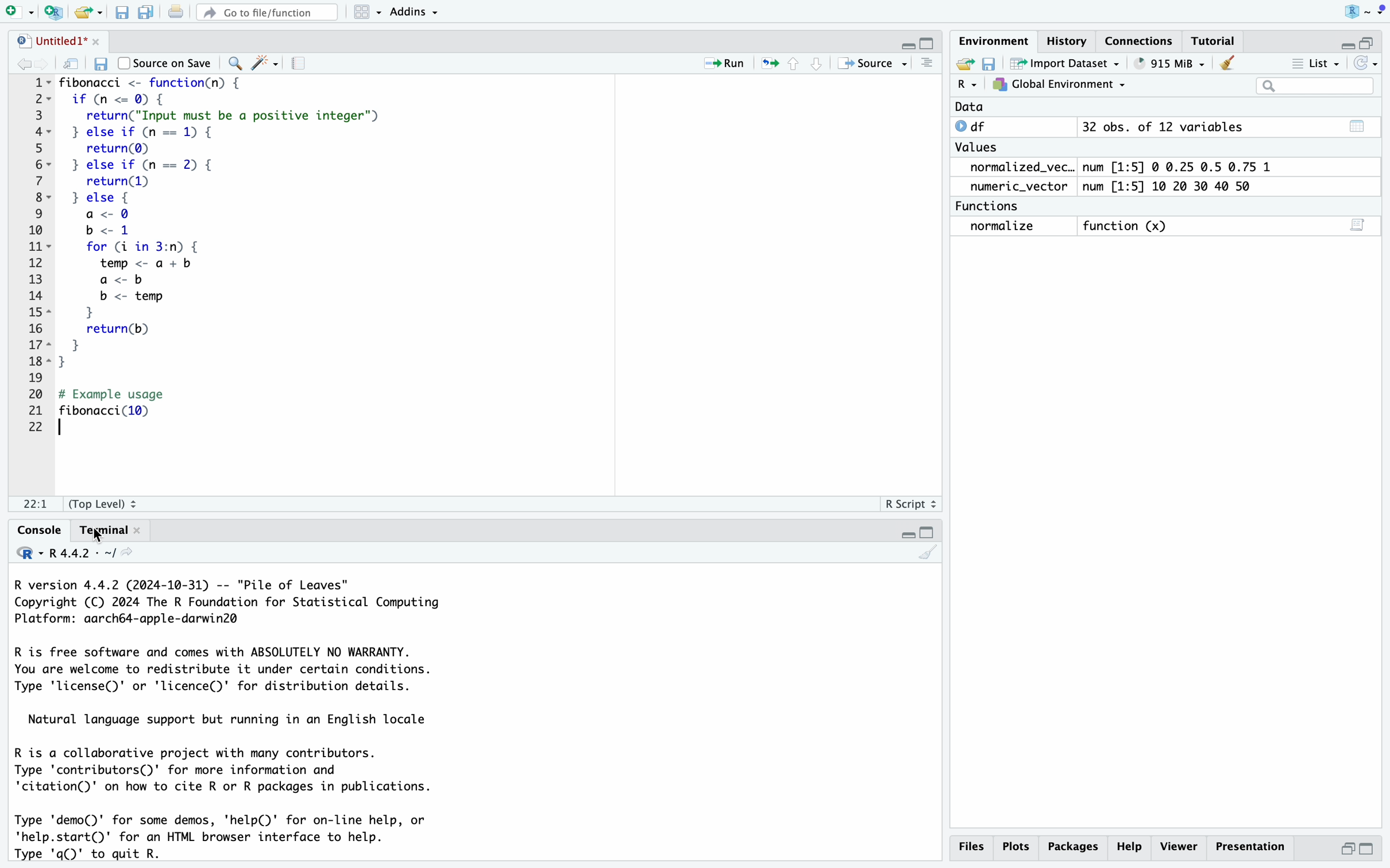  What do you see at coordinates (966, 63) in the screenshot?
I see `load workspace` at bounding box center [966, 63].